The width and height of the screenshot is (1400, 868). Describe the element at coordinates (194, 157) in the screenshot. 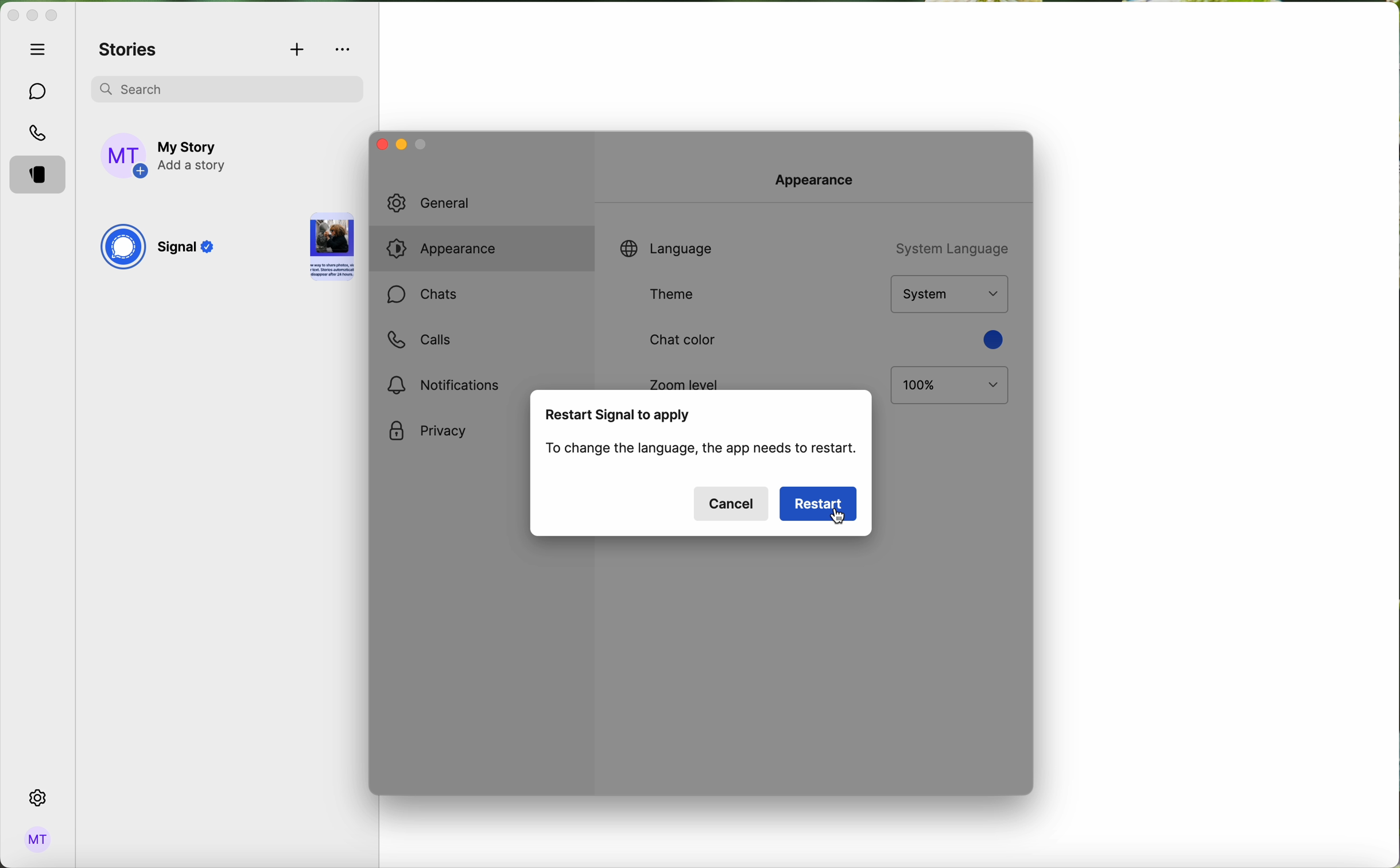

I see `add story` at that location.